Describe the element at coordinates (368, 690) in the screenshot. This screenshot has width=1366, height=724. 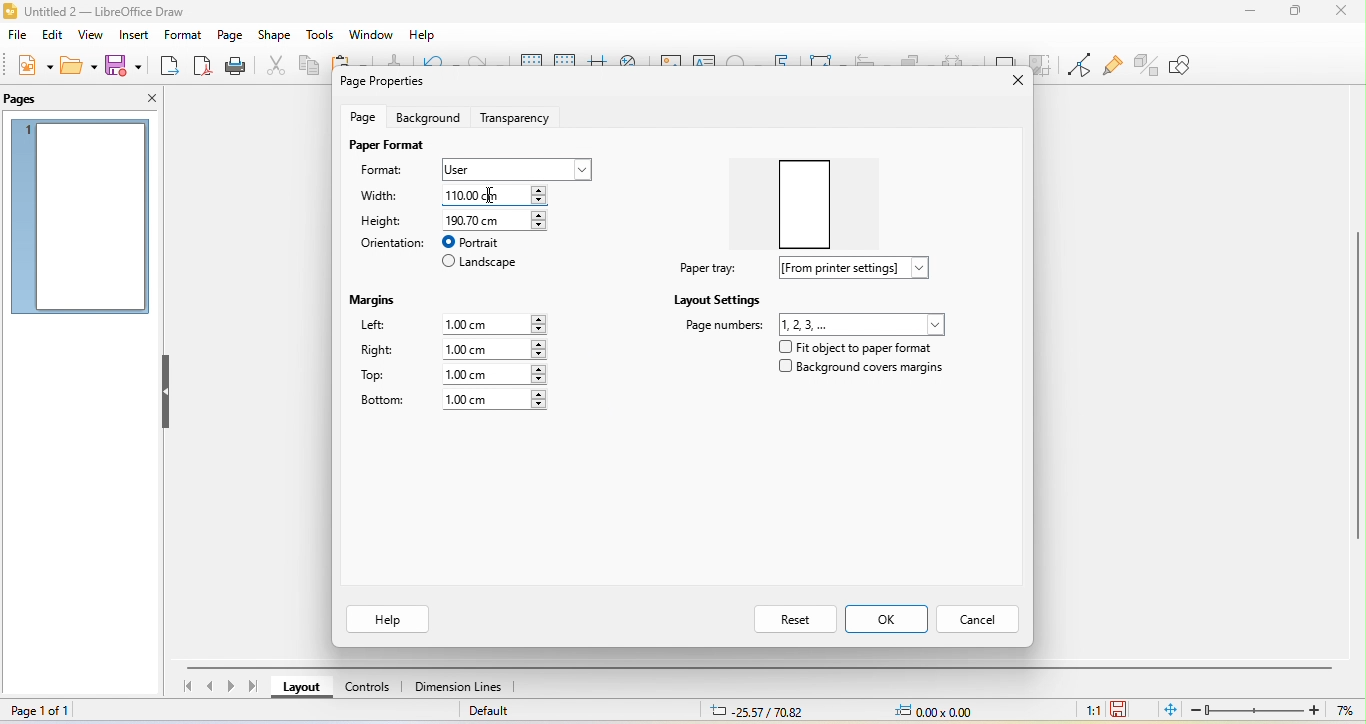
I see `control` at that location.